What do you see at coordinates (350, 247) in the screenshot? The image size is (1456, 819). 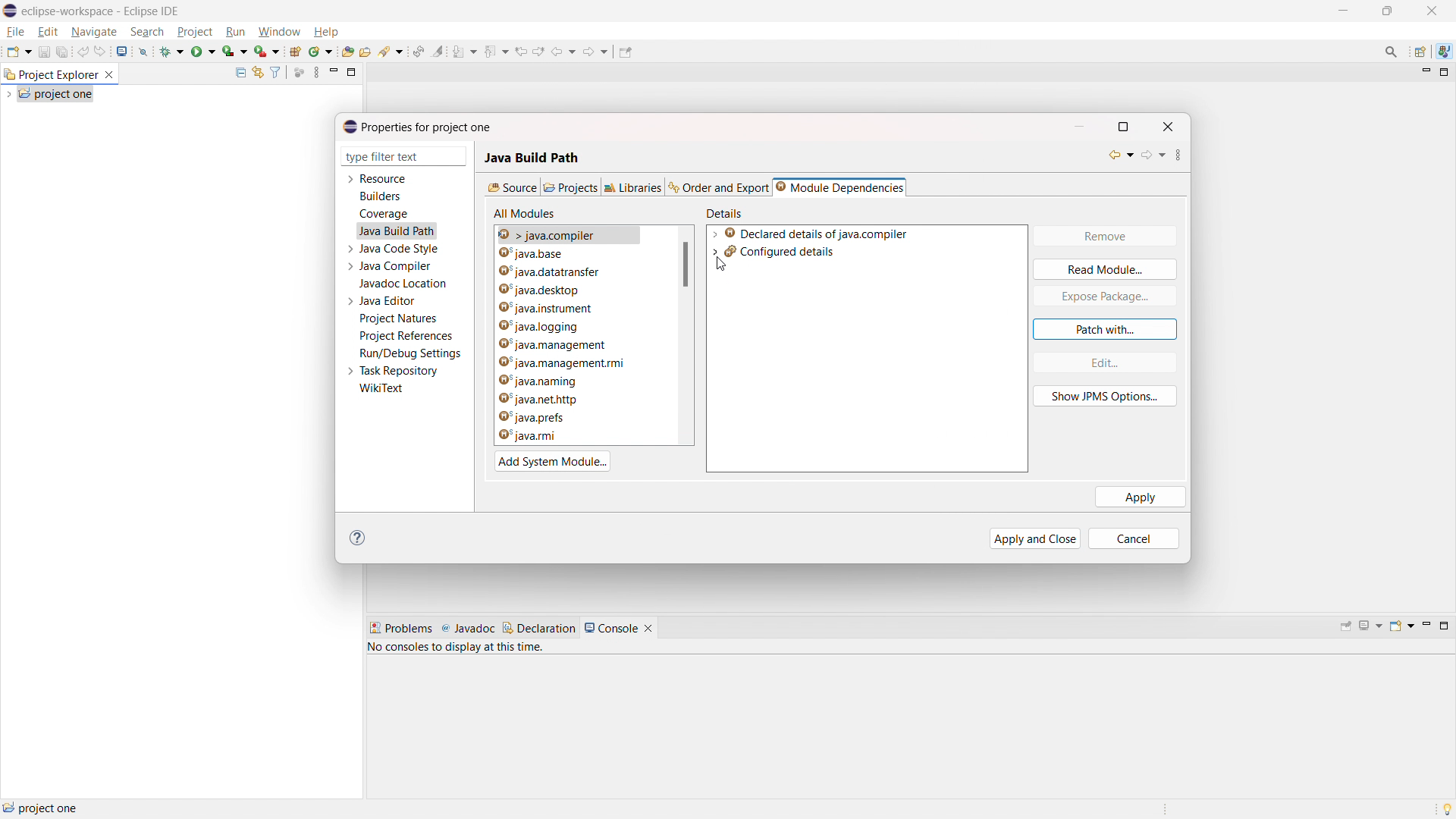 I see `expand java code style` at bounding box center [350, 247].